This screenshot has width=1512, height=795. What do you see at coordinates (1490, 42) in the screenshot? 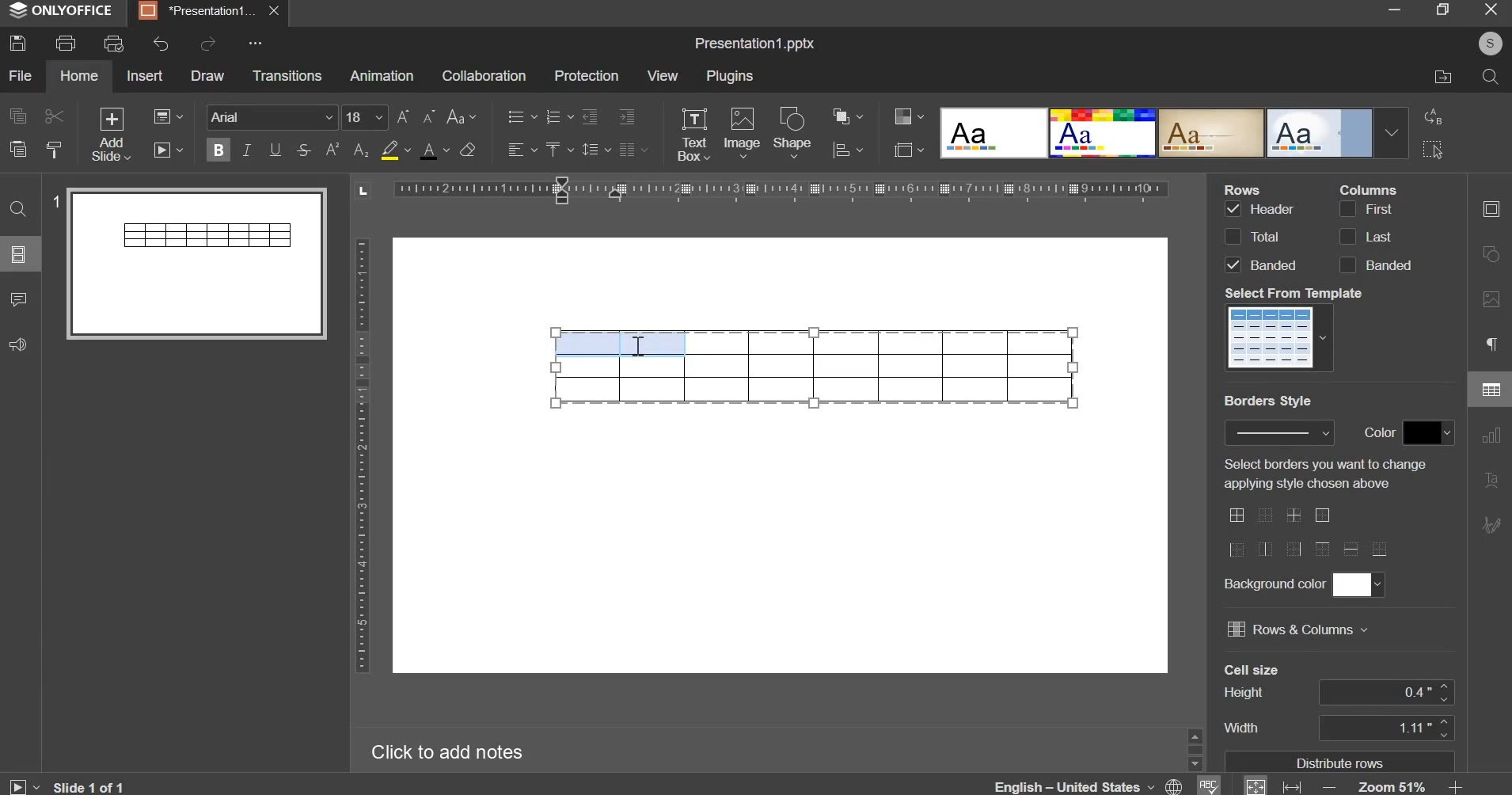
I see `User's account` at bounding box center [1490, 42].